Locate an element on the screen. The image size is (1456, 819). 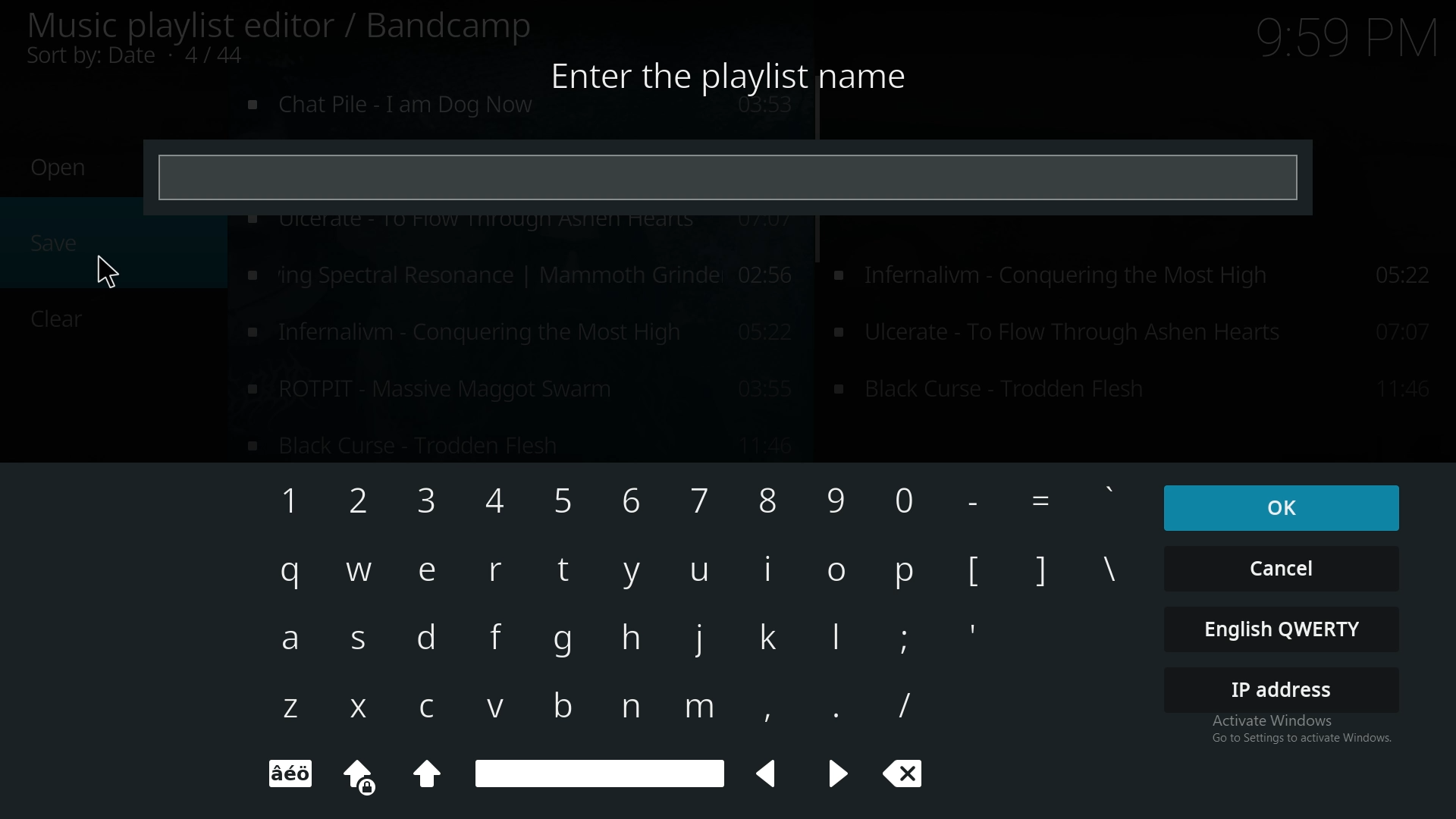
keyboard input is located at coordinates (1119, 577).